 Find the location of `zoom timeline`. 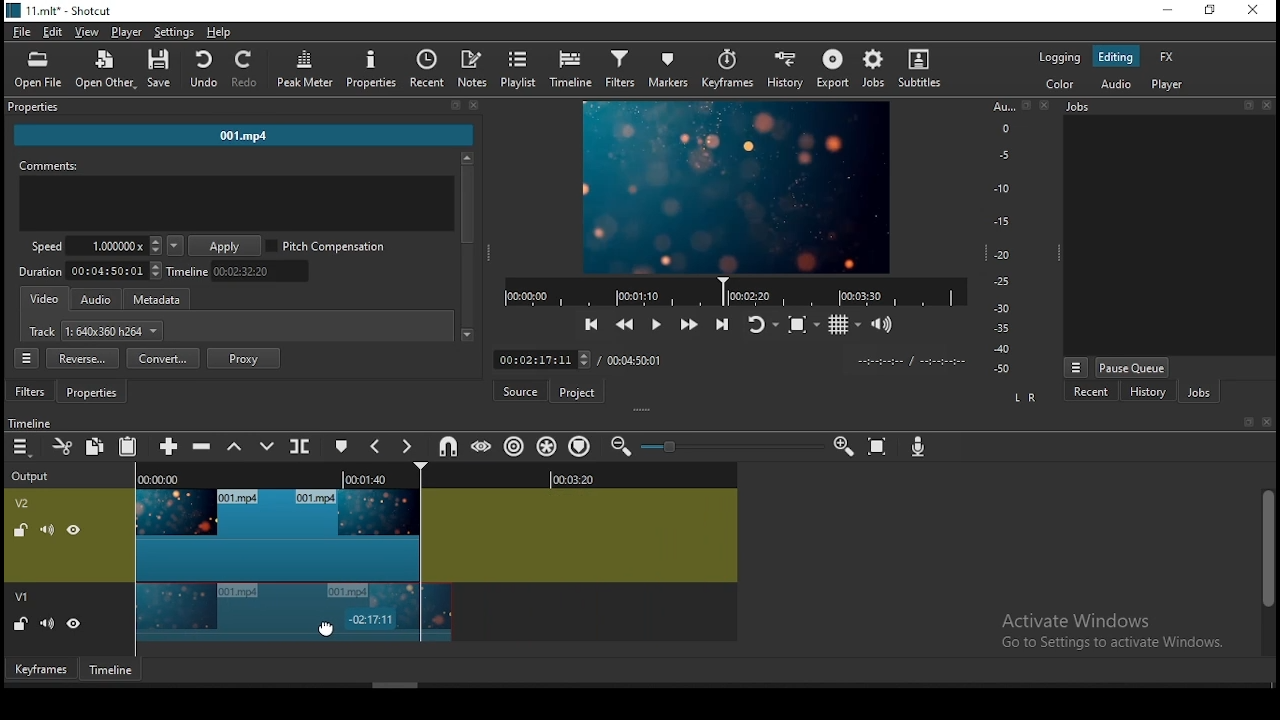

zoom timeline is located at coordinates (845, 444).